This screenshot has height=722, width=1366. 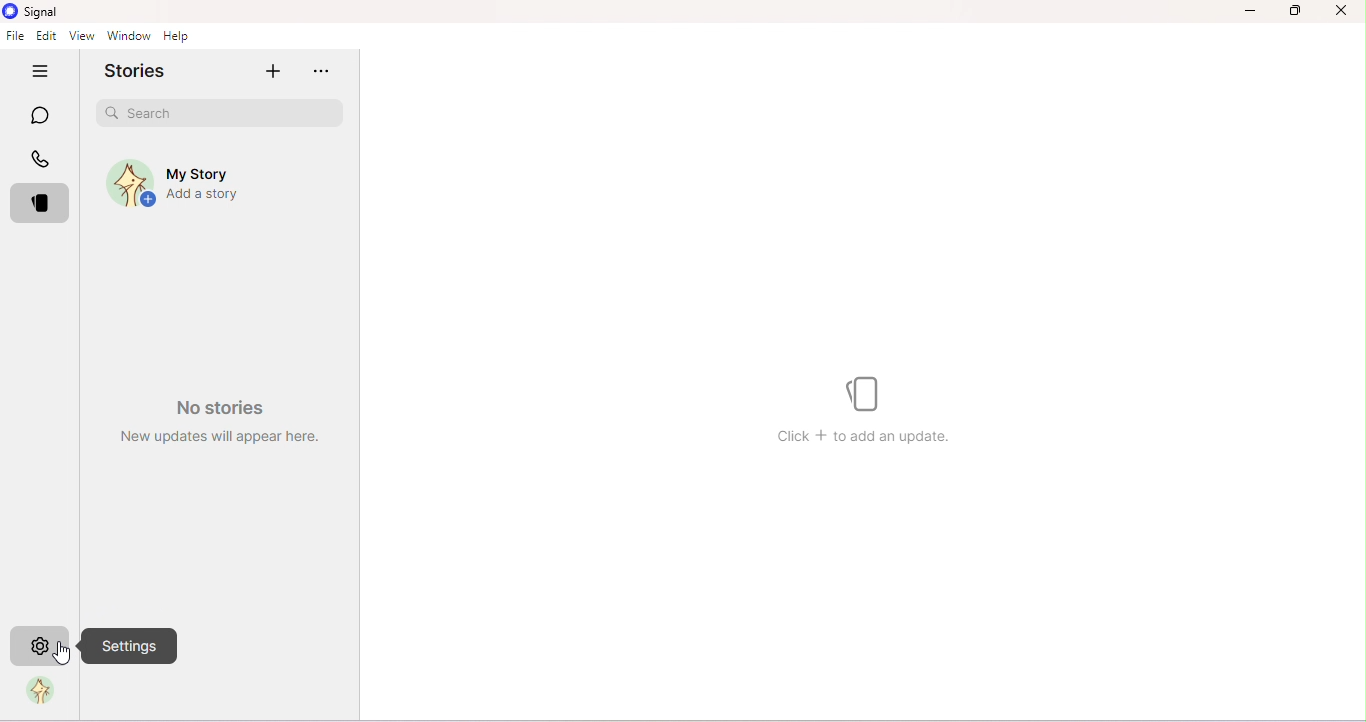 I want to click on Stories, so click(x=149, y=71).